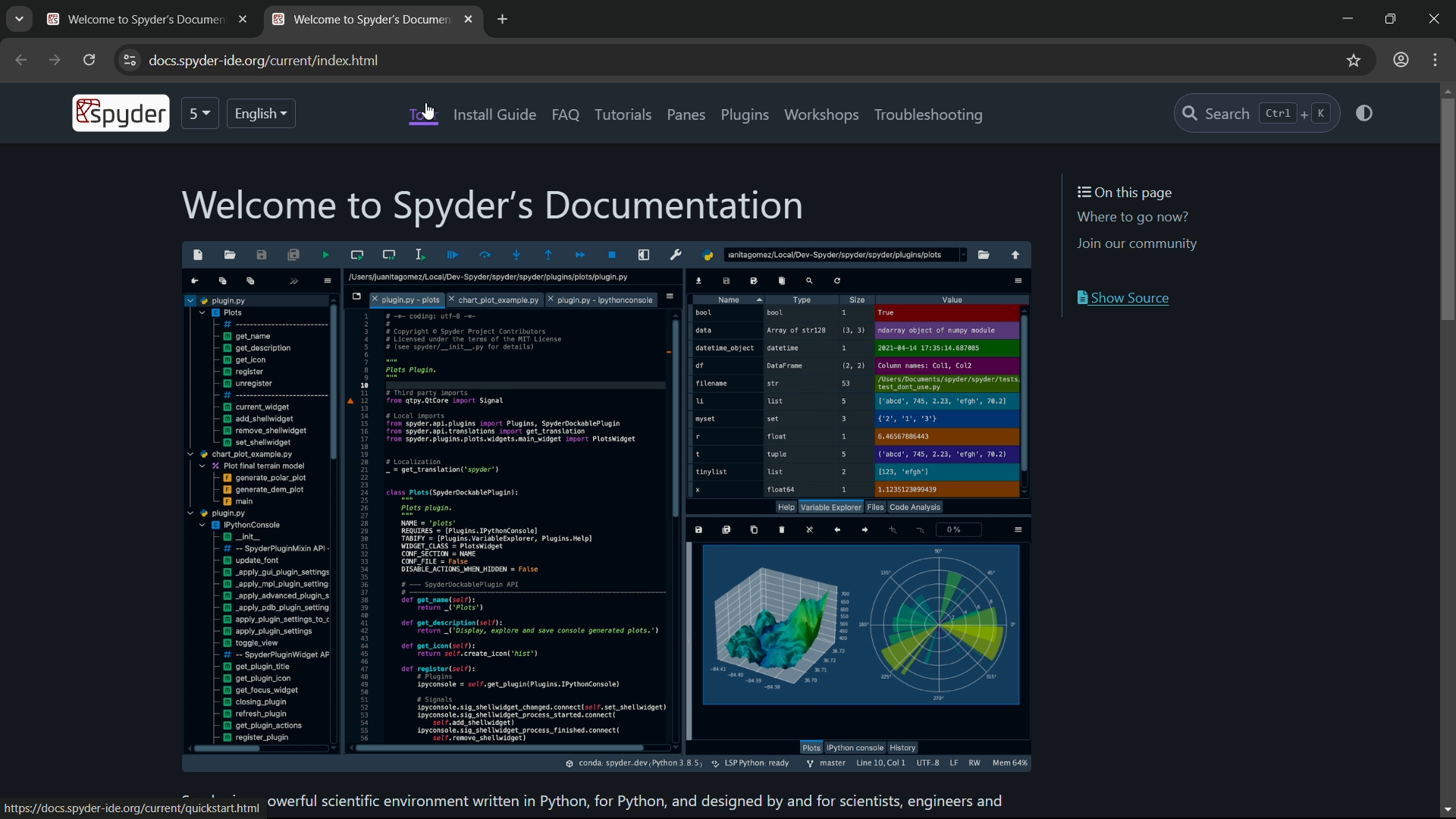 This screenshot has width=1456, height=819. I want to click on scroll bar, so click(1447, 209).